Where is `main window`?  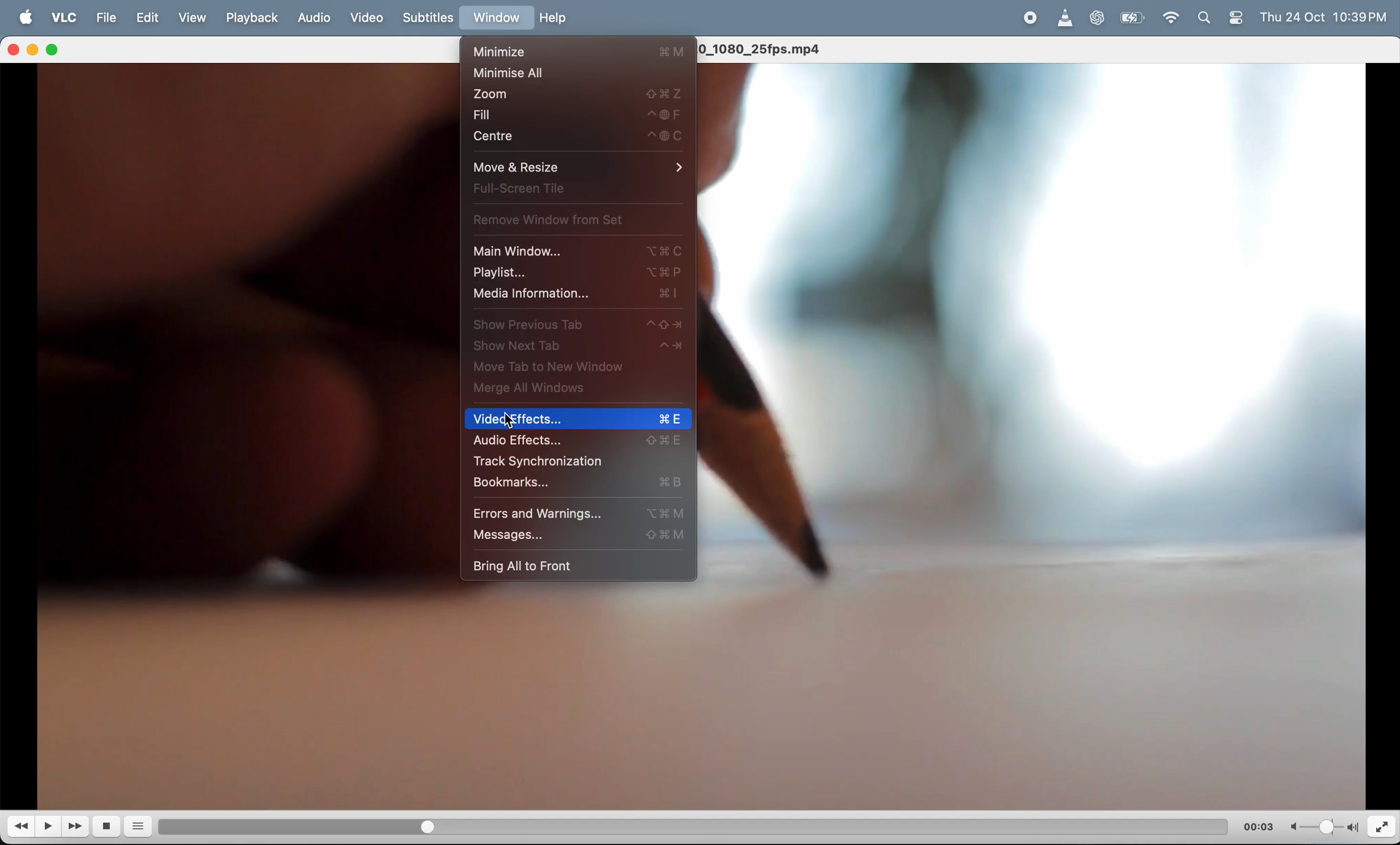
main window is located at coordinates (581, 253).